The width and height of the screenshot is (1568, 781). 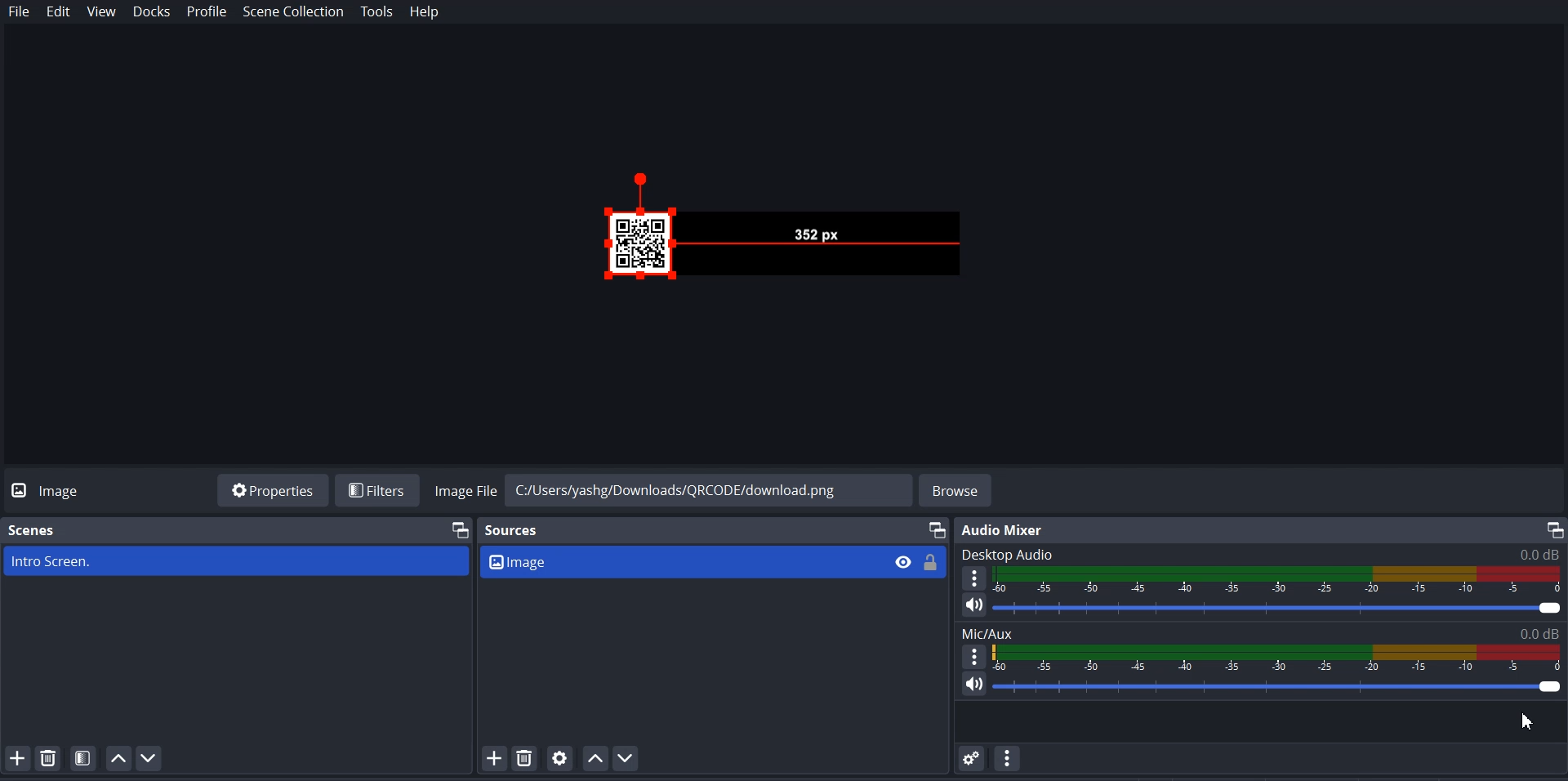 I want to click on Advance audio Properties, so click(x=973, y=757).